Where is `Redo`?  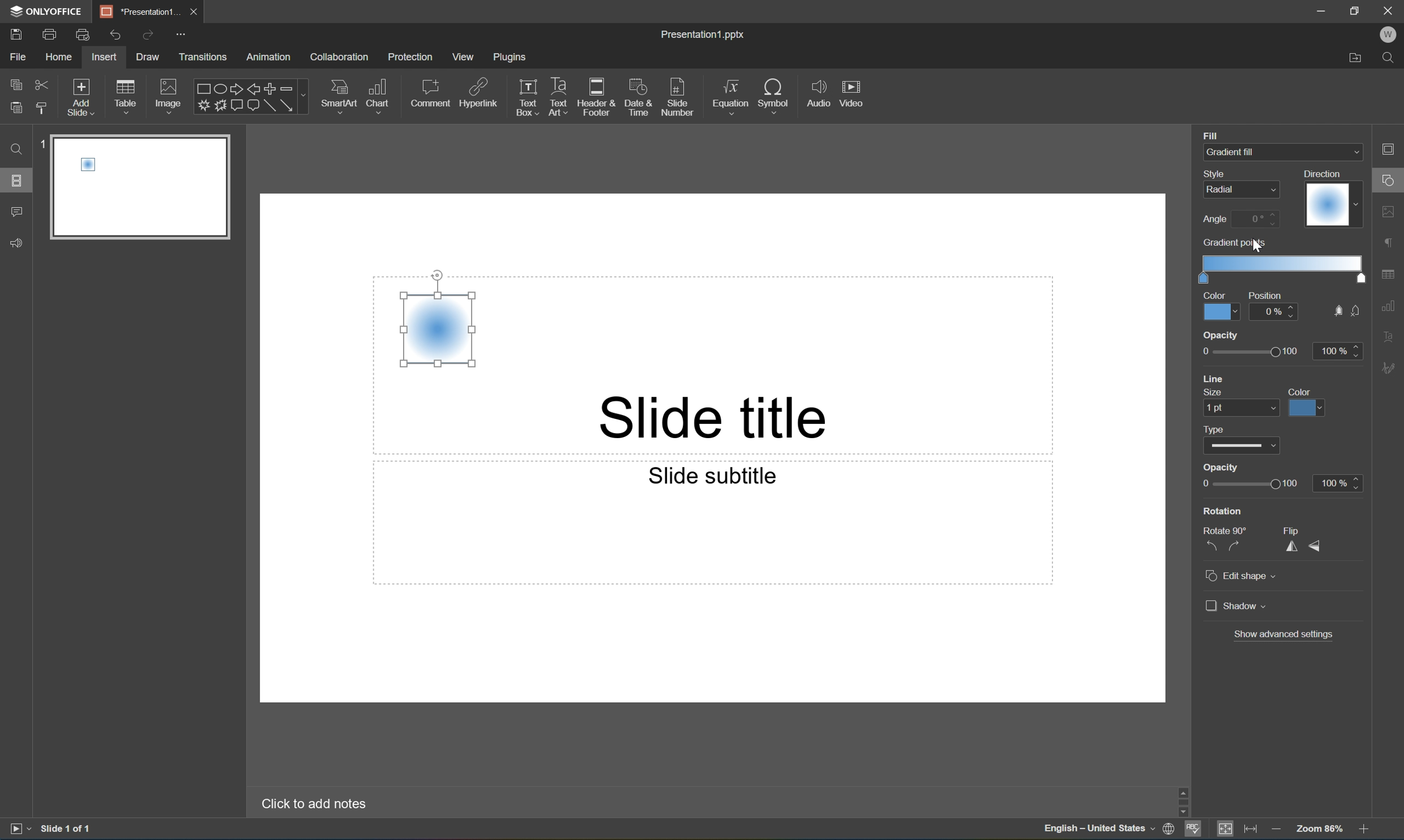
Redo is located at coordinates (147, 36).